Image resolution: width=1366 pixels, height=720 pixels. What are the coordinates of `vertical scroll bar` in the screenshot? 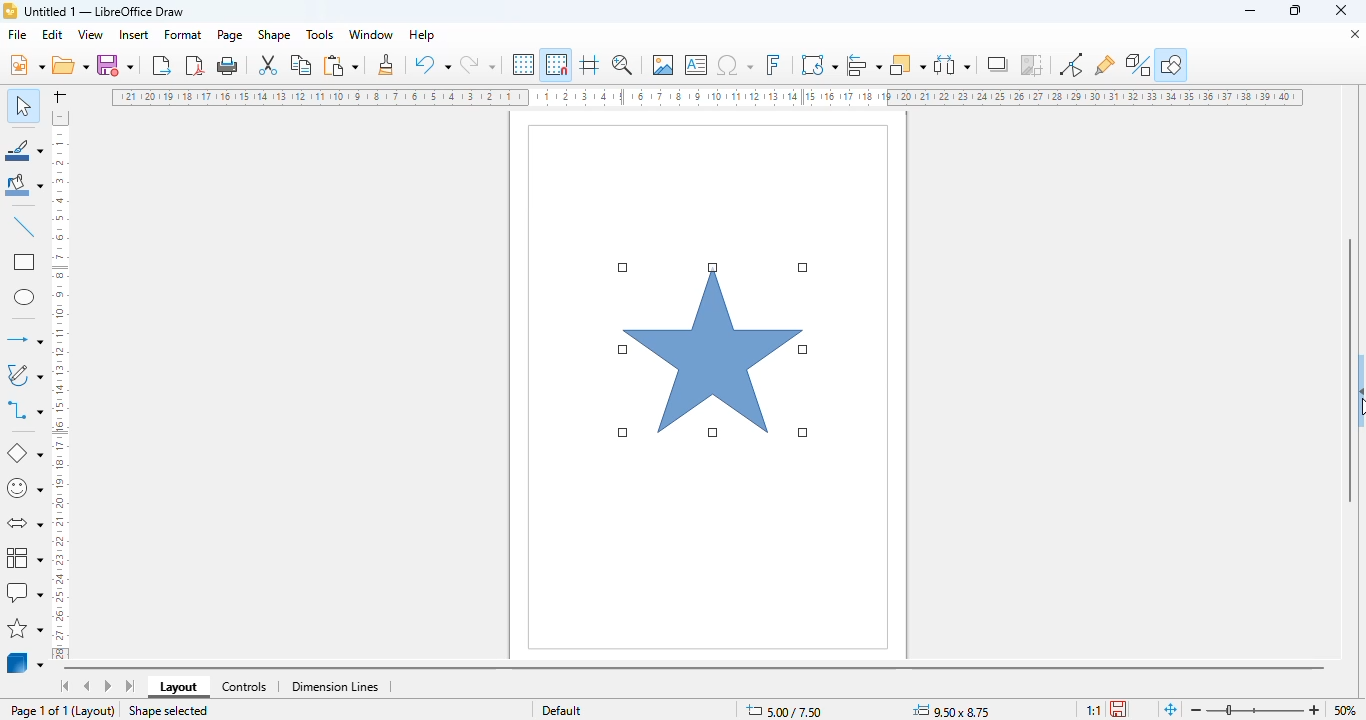 It's located at (1350, 369).